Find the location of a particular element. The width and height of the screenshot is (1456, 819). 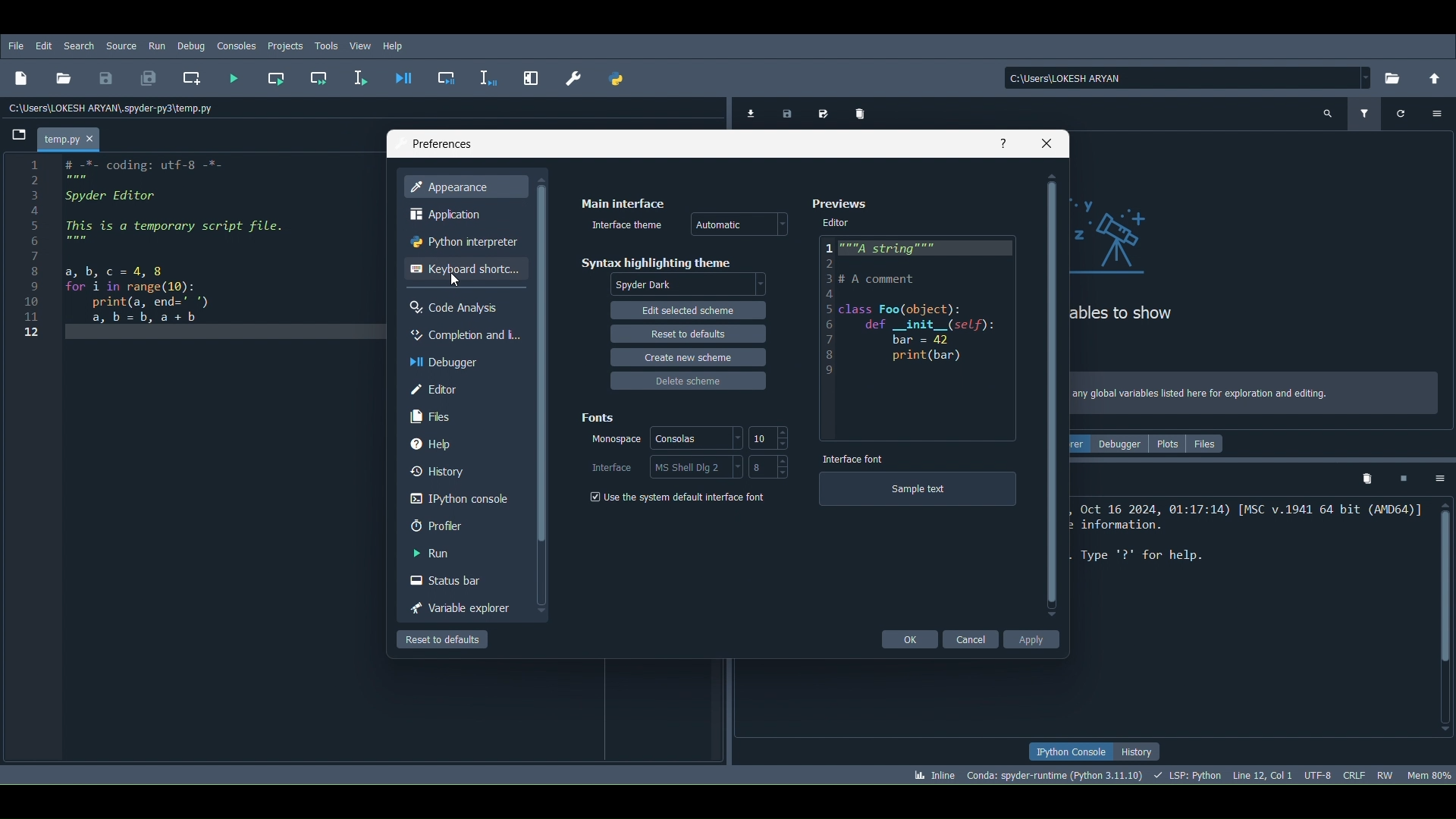

Syntax highlighting theme is located at coordinates (657, 262).